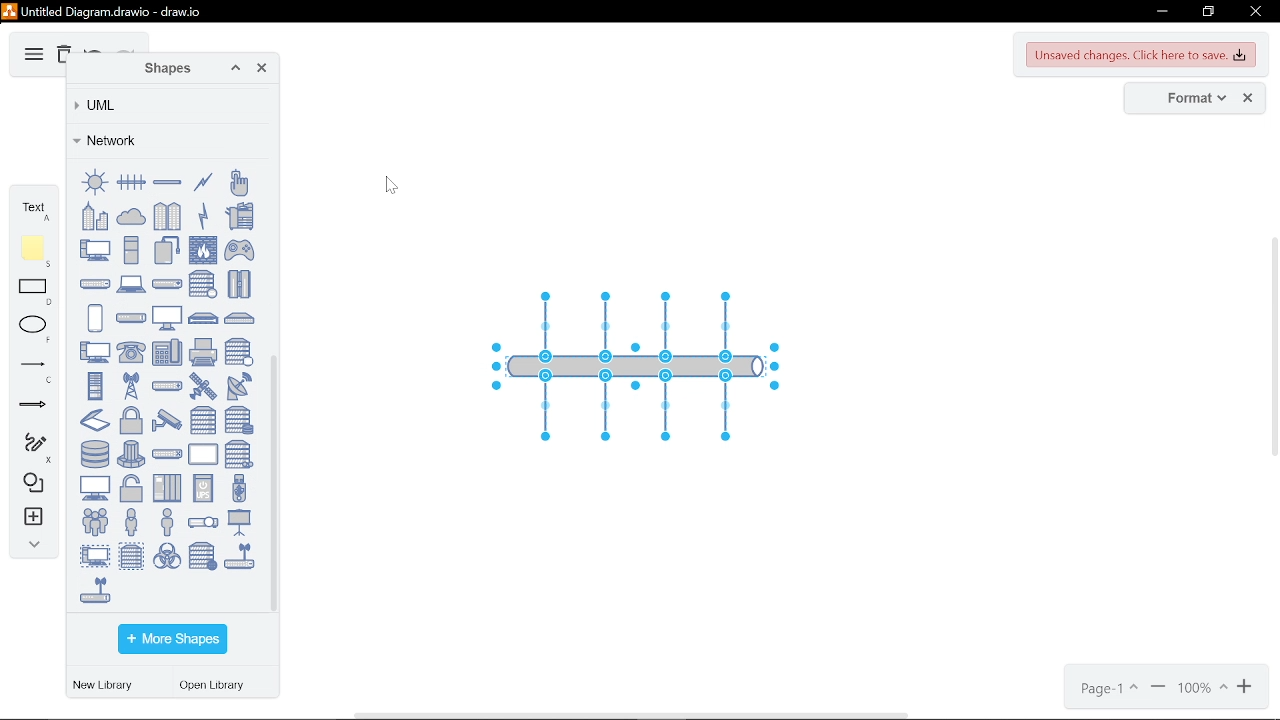 The height and width of the screenshot is (720, 1280). Describe the element at coordinates (203, 284) in the screenshot. I see `mail server` at that location.